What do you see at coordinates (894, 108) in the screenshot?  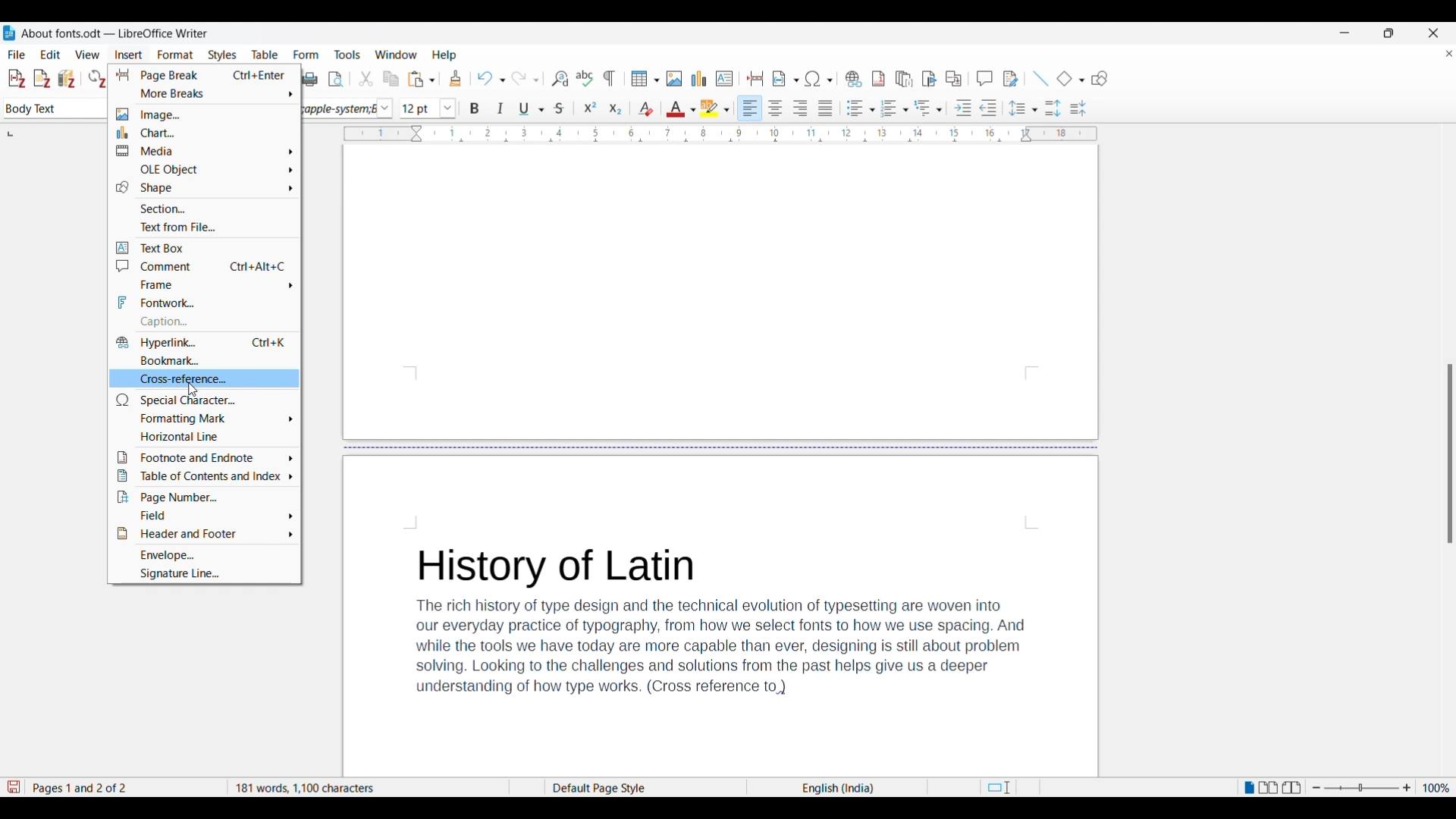 I see `Toggle ordered list` at bounding box center [894, 108].